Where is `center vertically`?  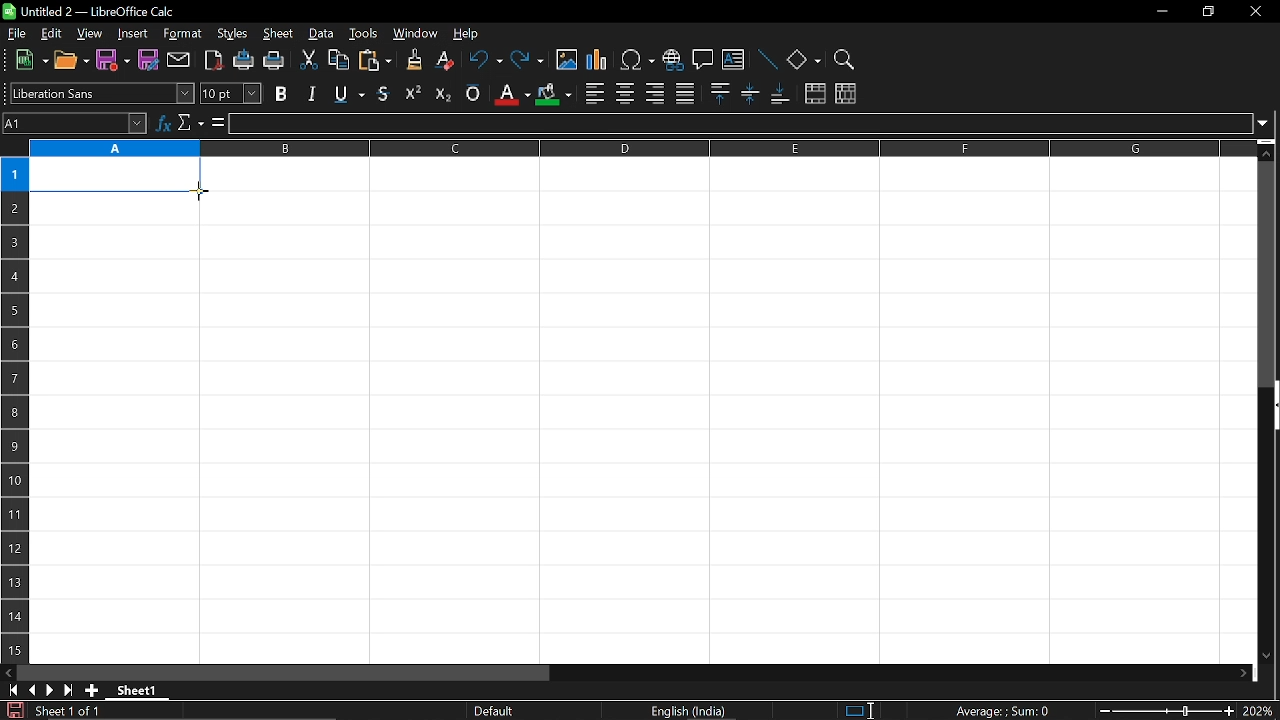
center vertically is located at coordinates (750, 95).